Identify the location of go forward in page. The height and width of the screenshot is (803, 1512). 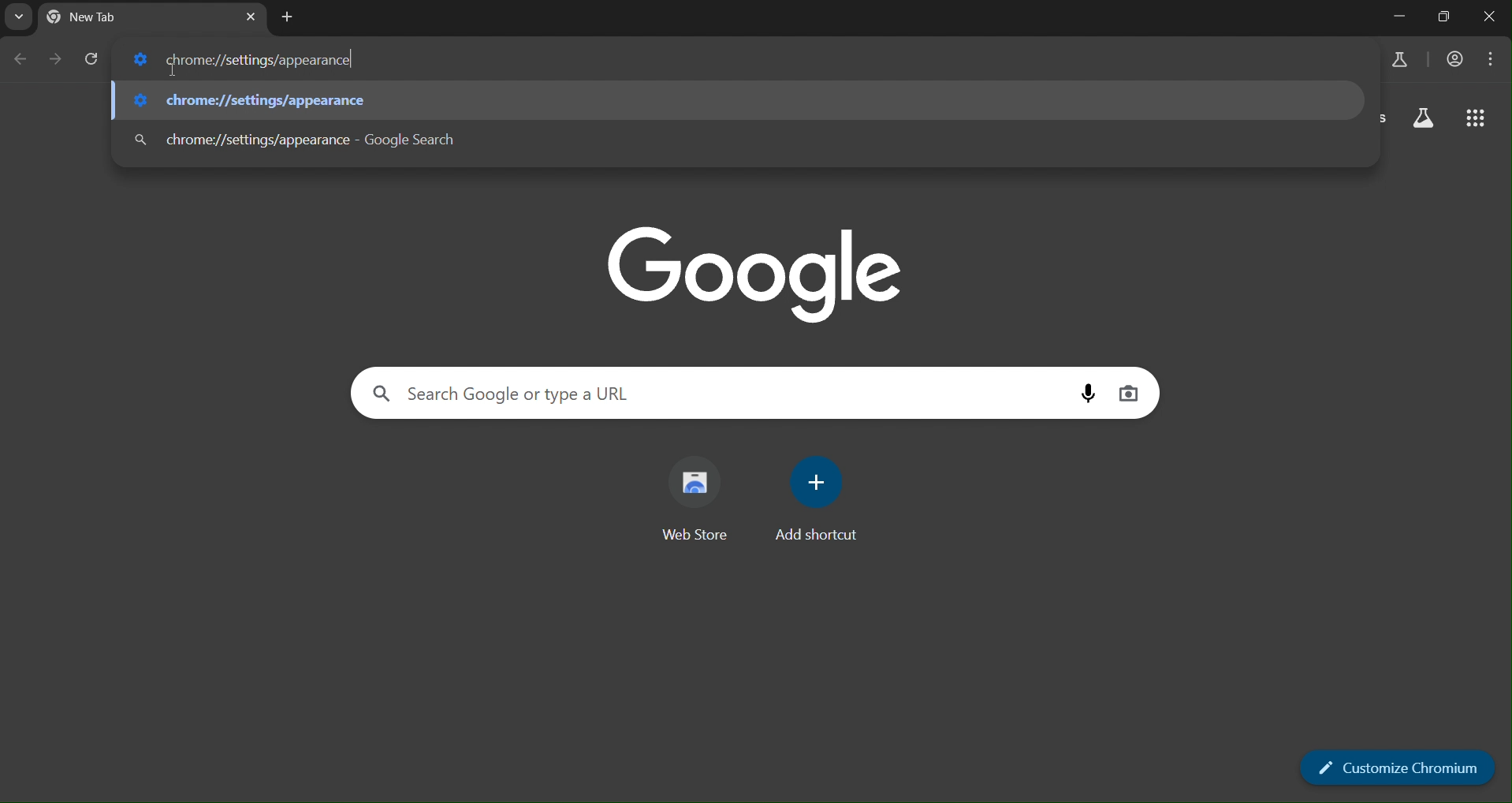
(57, 60).